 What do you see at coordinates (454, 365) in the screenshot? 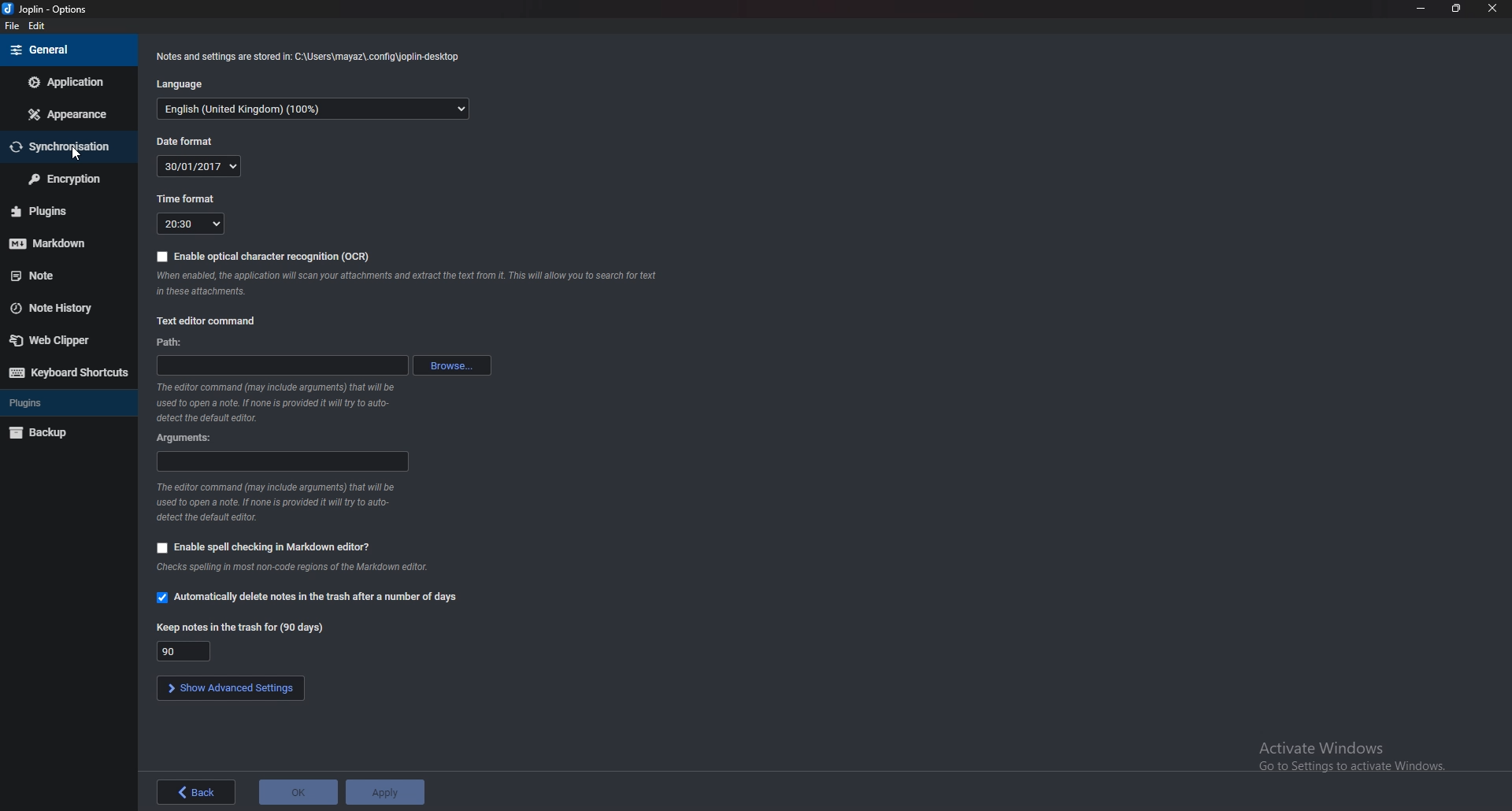
I see `browse` at bounding box center [454, 365].